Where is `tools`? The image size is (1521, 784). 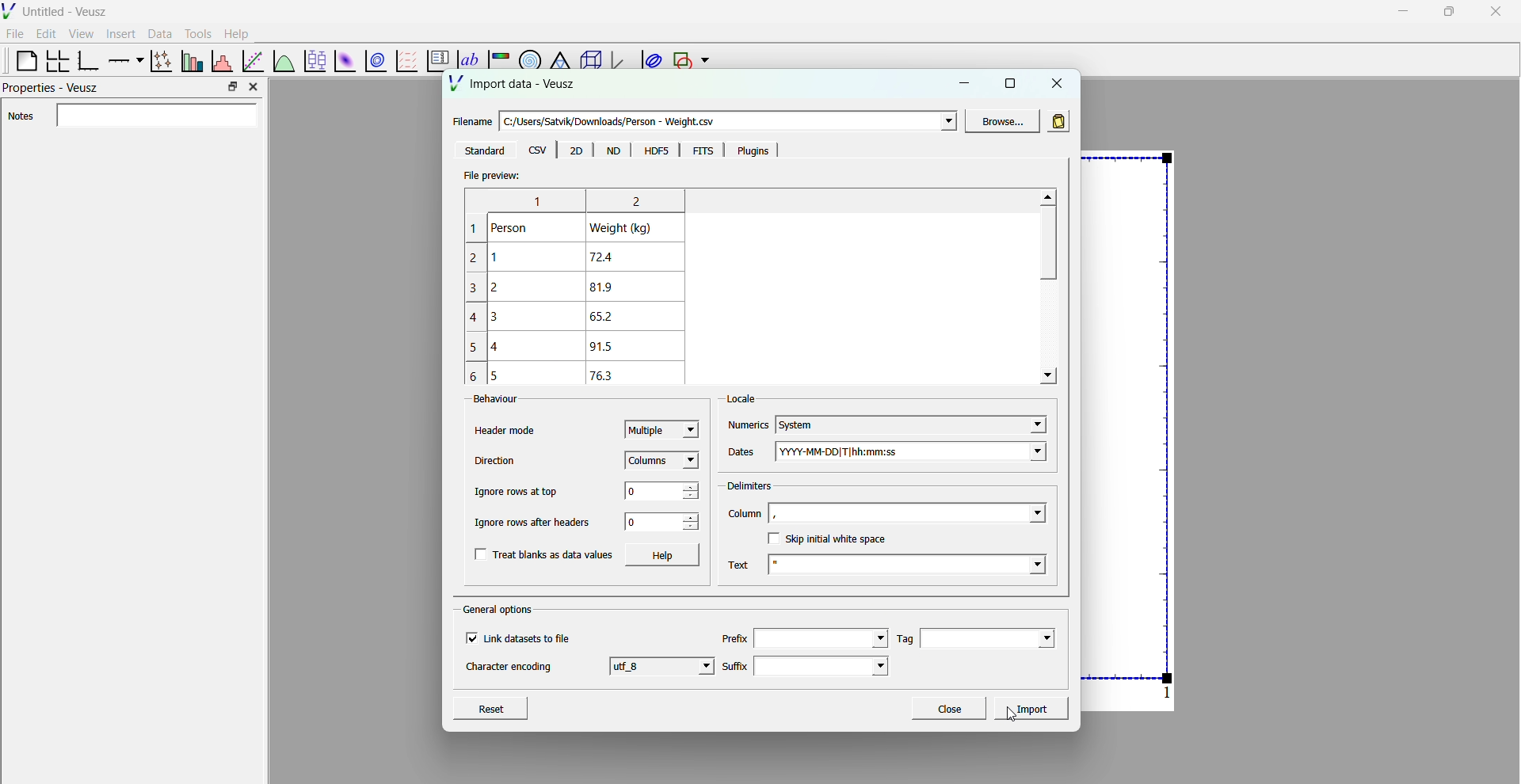 tools is located at coordinates (196, 33).